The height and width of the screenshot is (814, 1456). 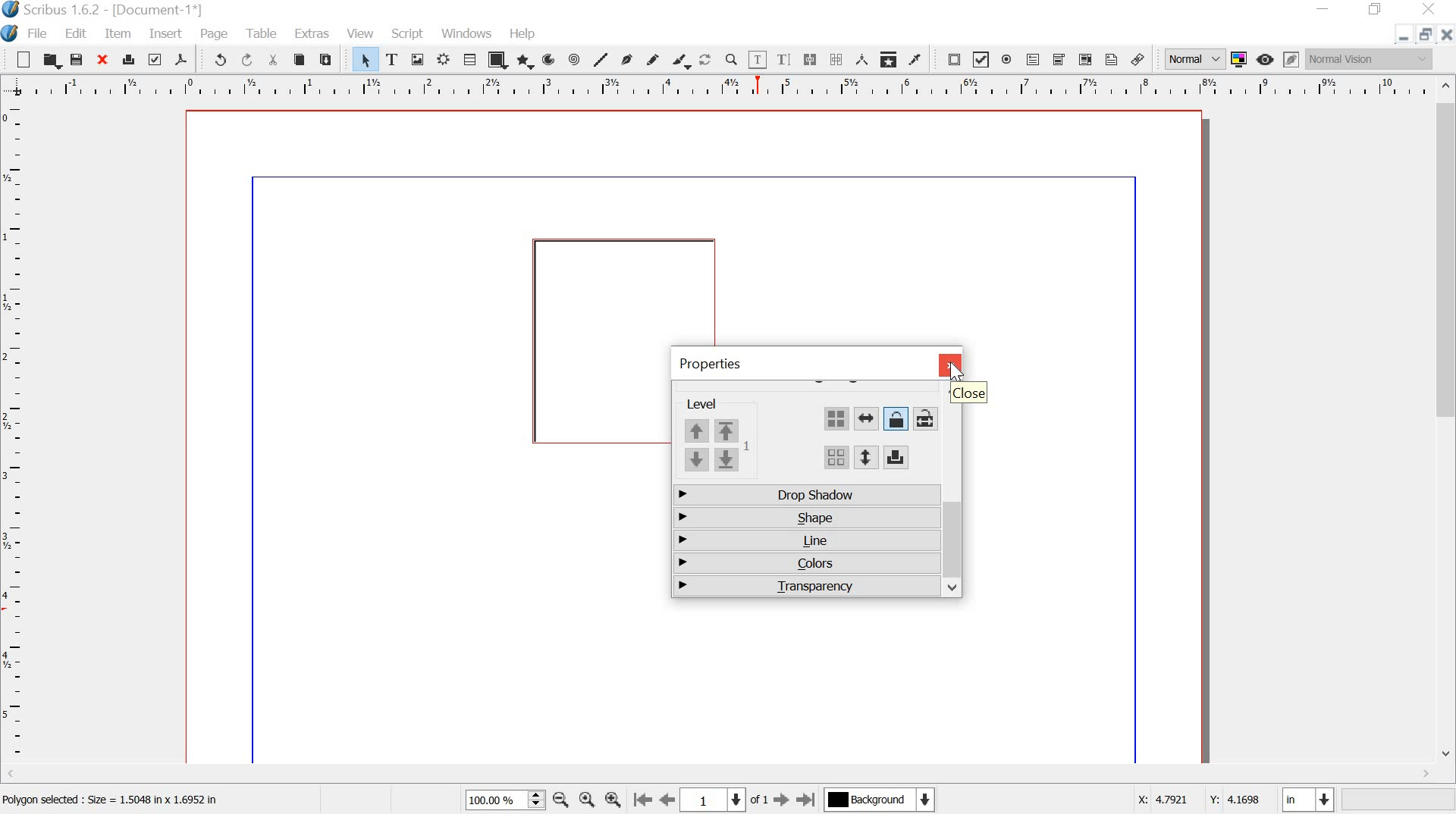 What do you see at coordinates (184, 60) in the screenshot?
I see `save as pdf` at bounding box center [184, 60].